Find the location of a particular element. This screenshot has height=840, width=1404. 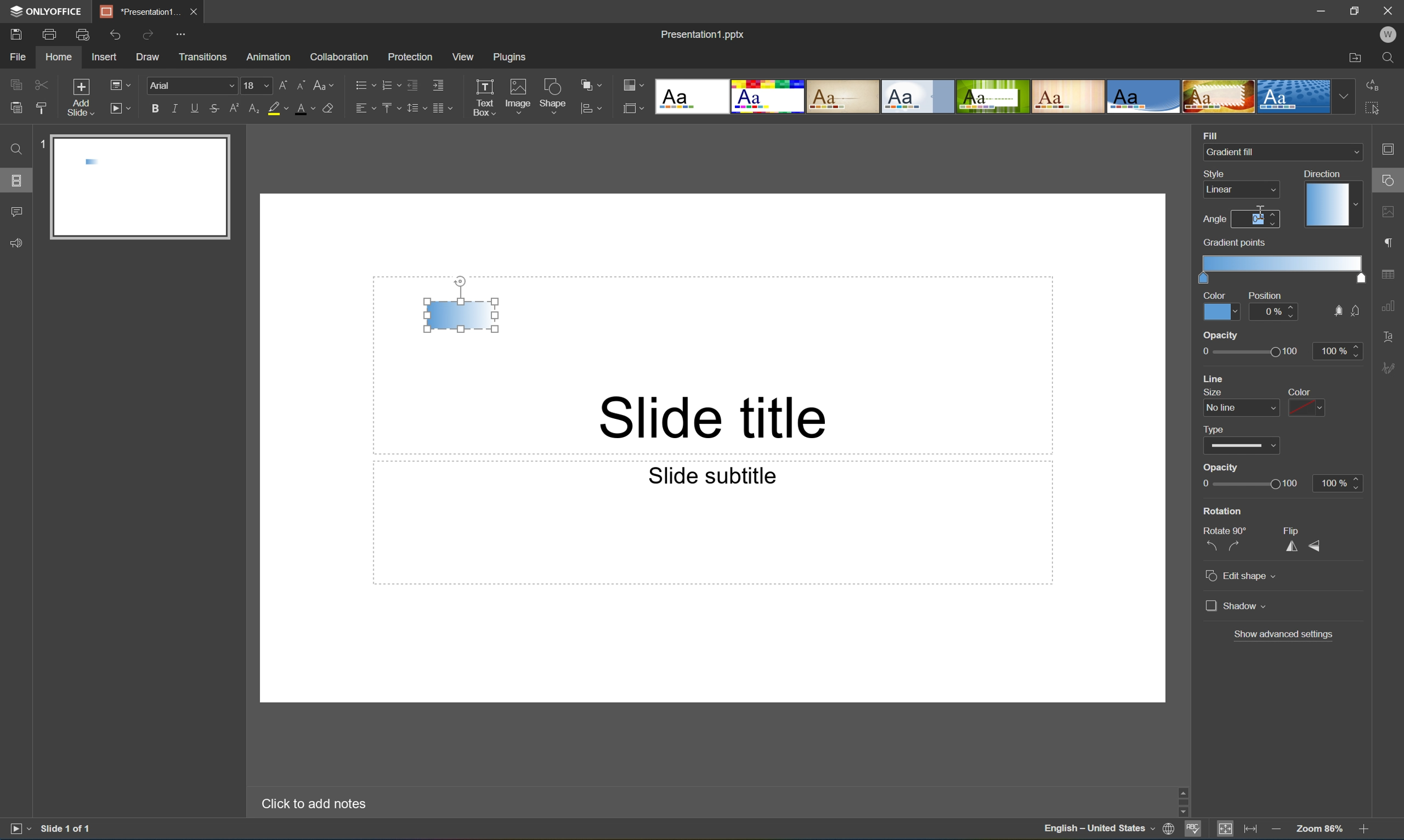

chart settings is located at coordinates (1388, 306).